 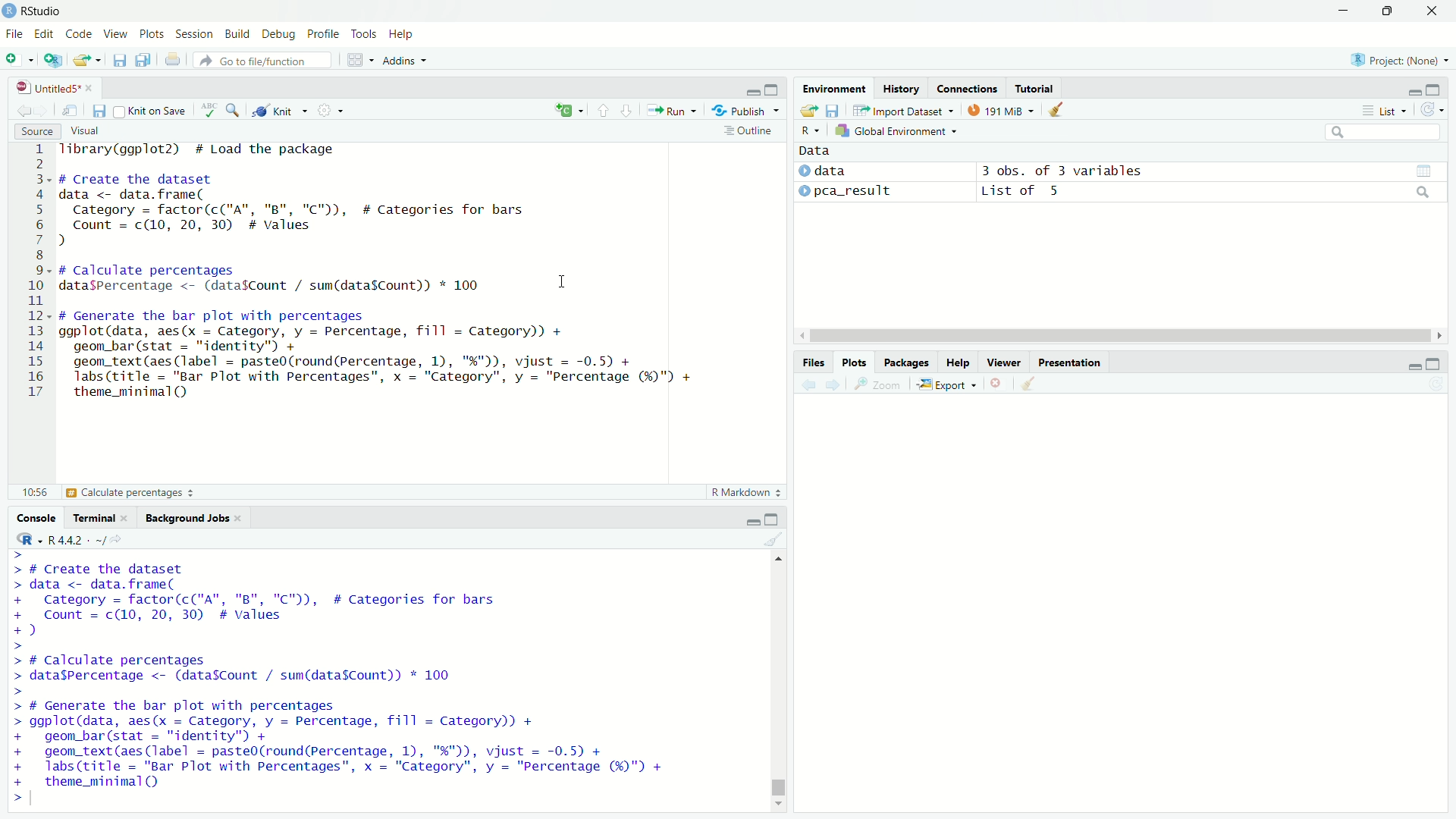 I want to click on tutorial, so click(x=1036, y=88).